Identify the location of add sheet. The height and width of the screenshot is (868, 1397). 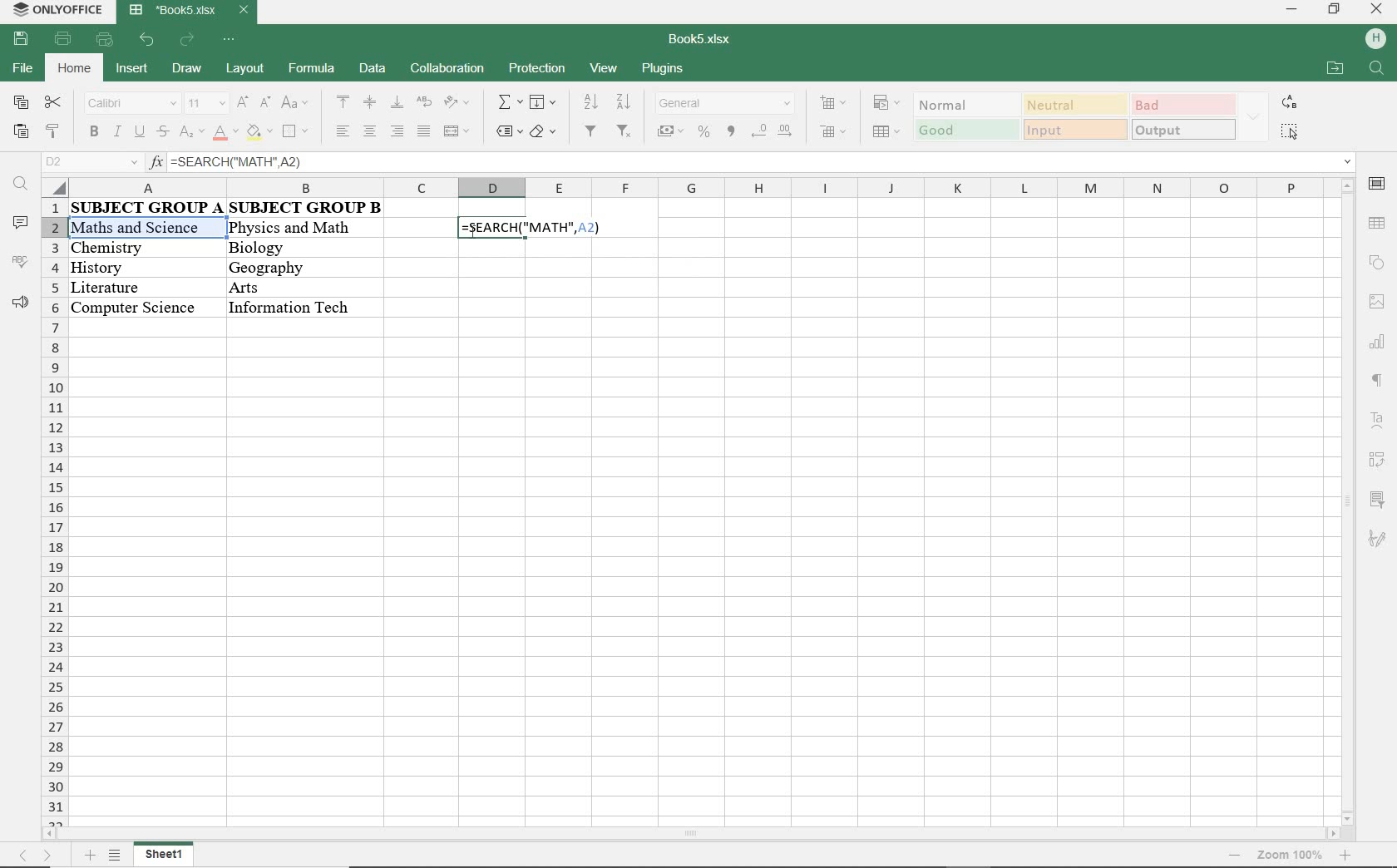
(87, 857).